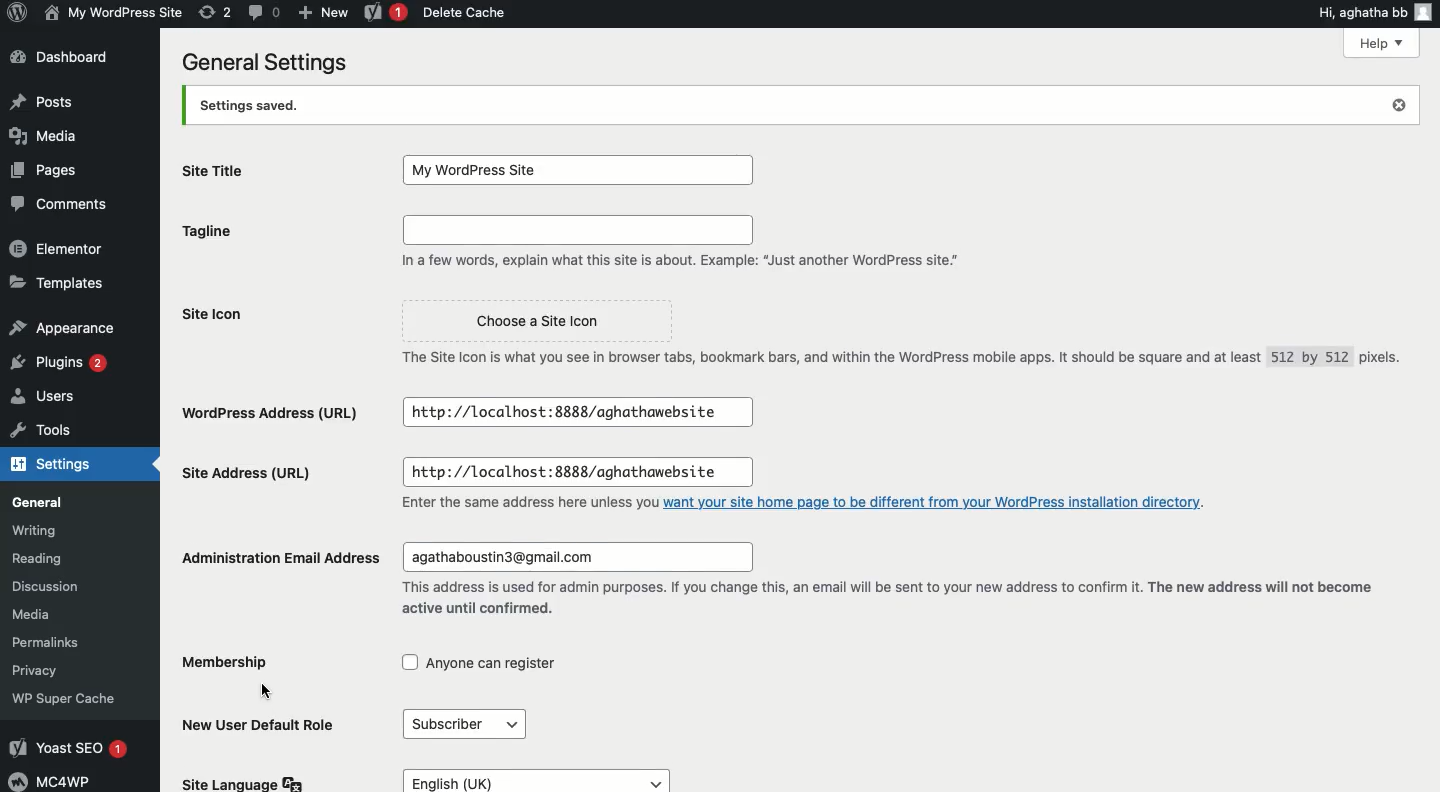  What do you see at coordinates (220, 237) in the screenshot?
I see `Tagline` at bounding box center [220, 237].